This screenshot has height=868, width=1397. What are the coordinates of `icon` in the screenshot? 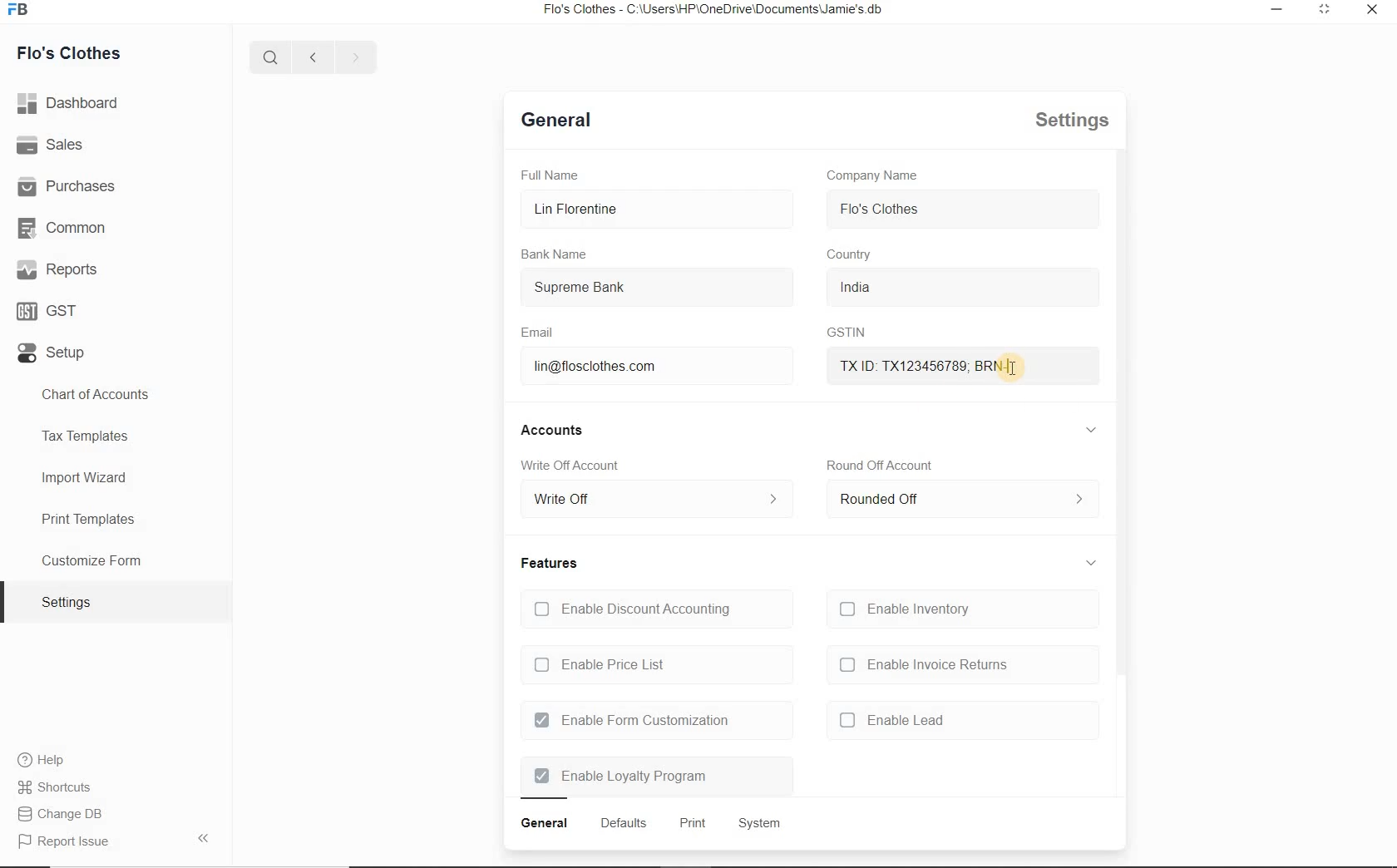 It's located at (23, 14).